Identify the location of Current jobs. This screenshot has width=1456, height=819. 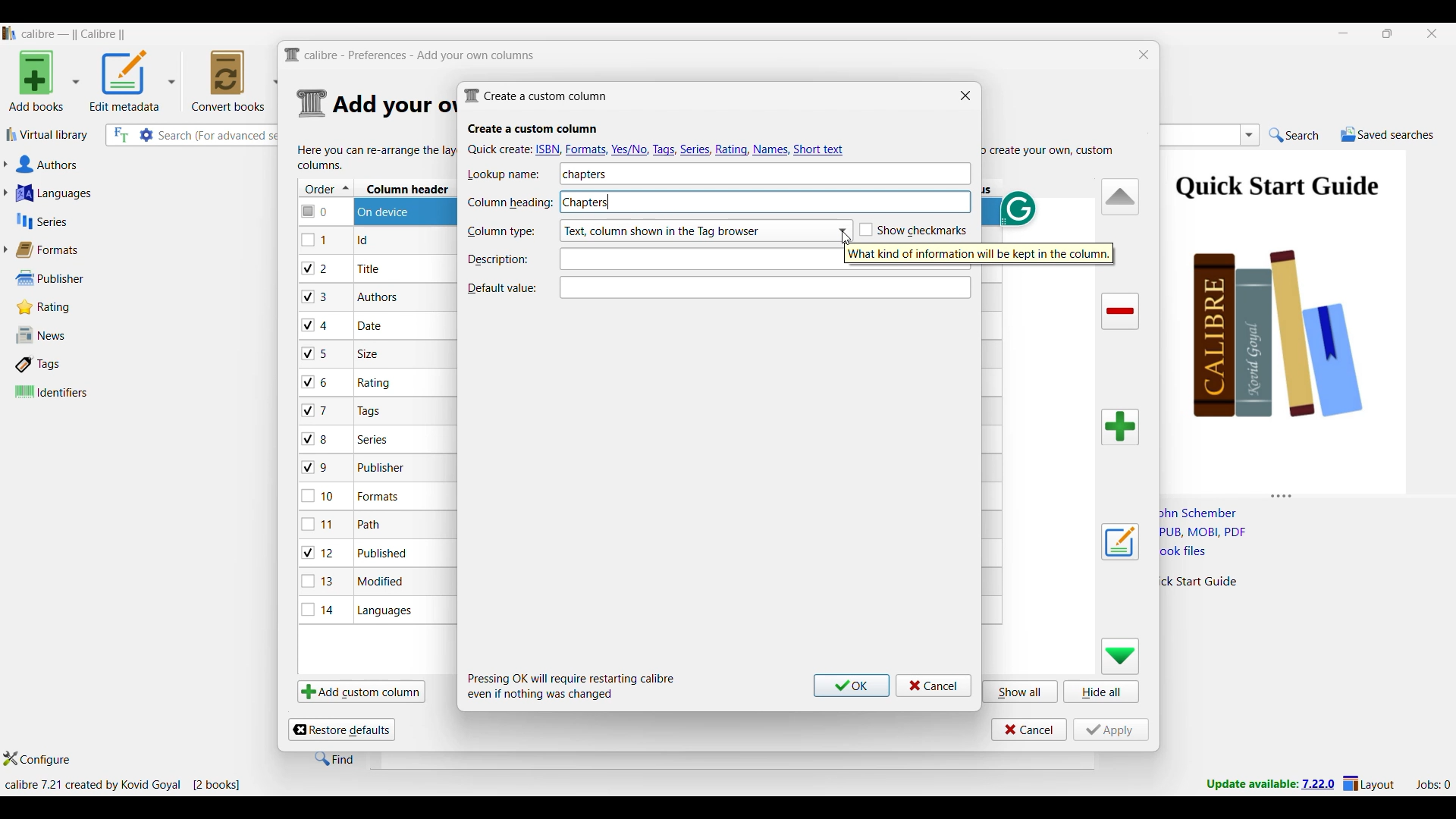
(1432, 785).